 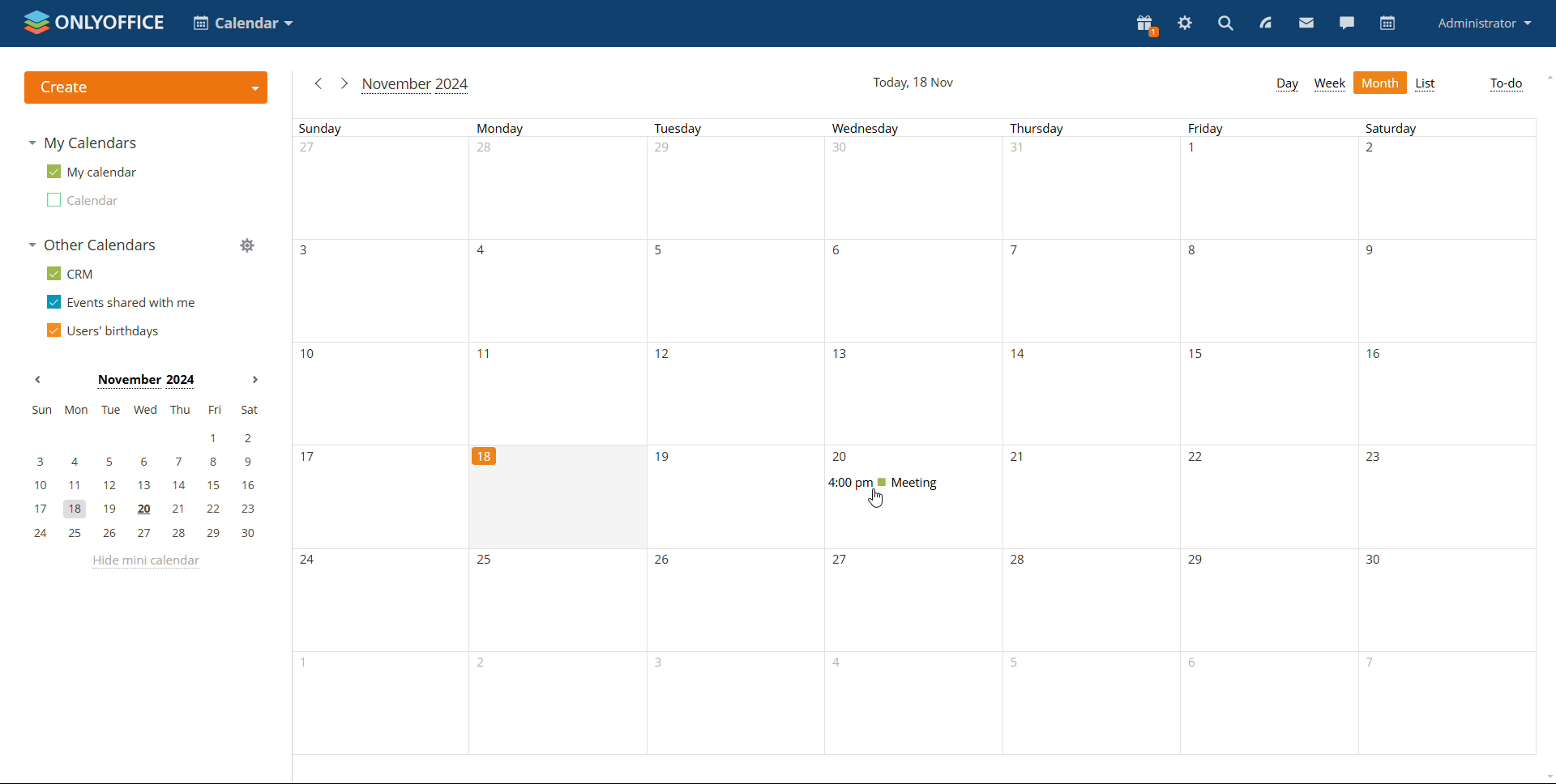 What do you see at coordinates (1505, 85) in the screenshot?
I see `to-do` at bounding box center [1505, 85].